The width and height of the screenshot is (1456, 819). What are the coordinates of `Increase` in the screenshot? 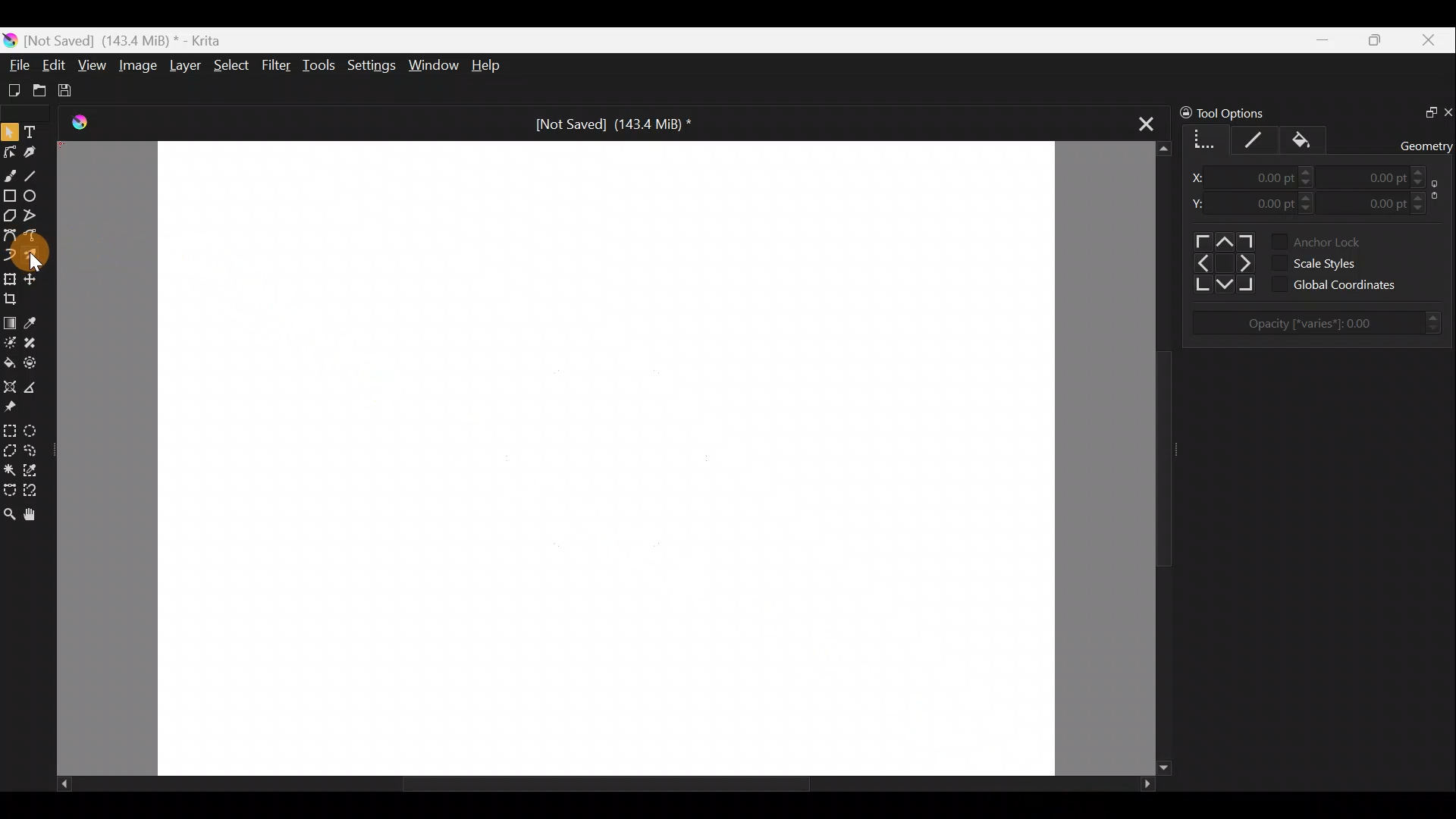 It's located at (1311, 196).